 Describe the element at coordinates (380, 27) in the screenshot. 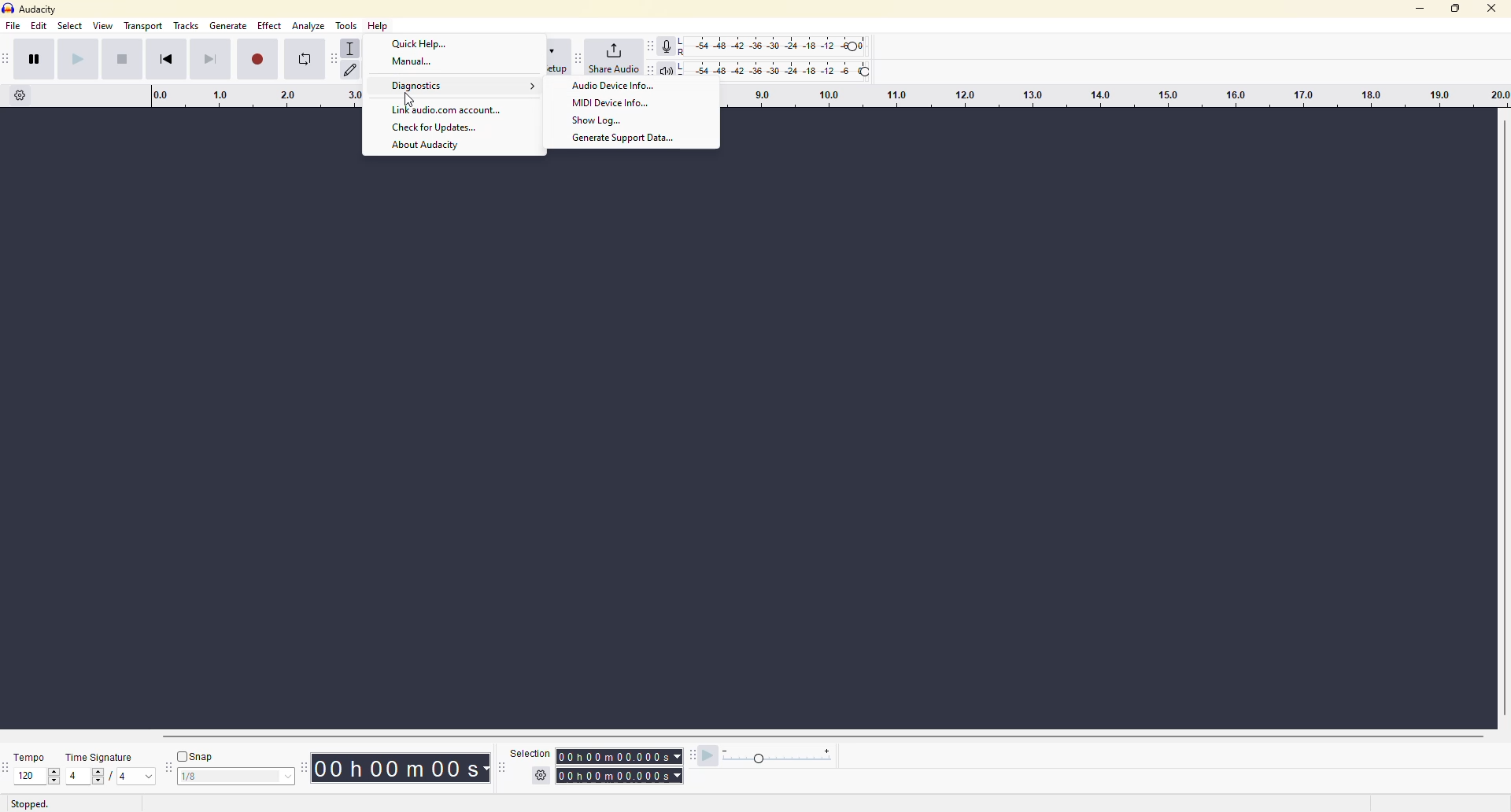

I see `help` at that location.